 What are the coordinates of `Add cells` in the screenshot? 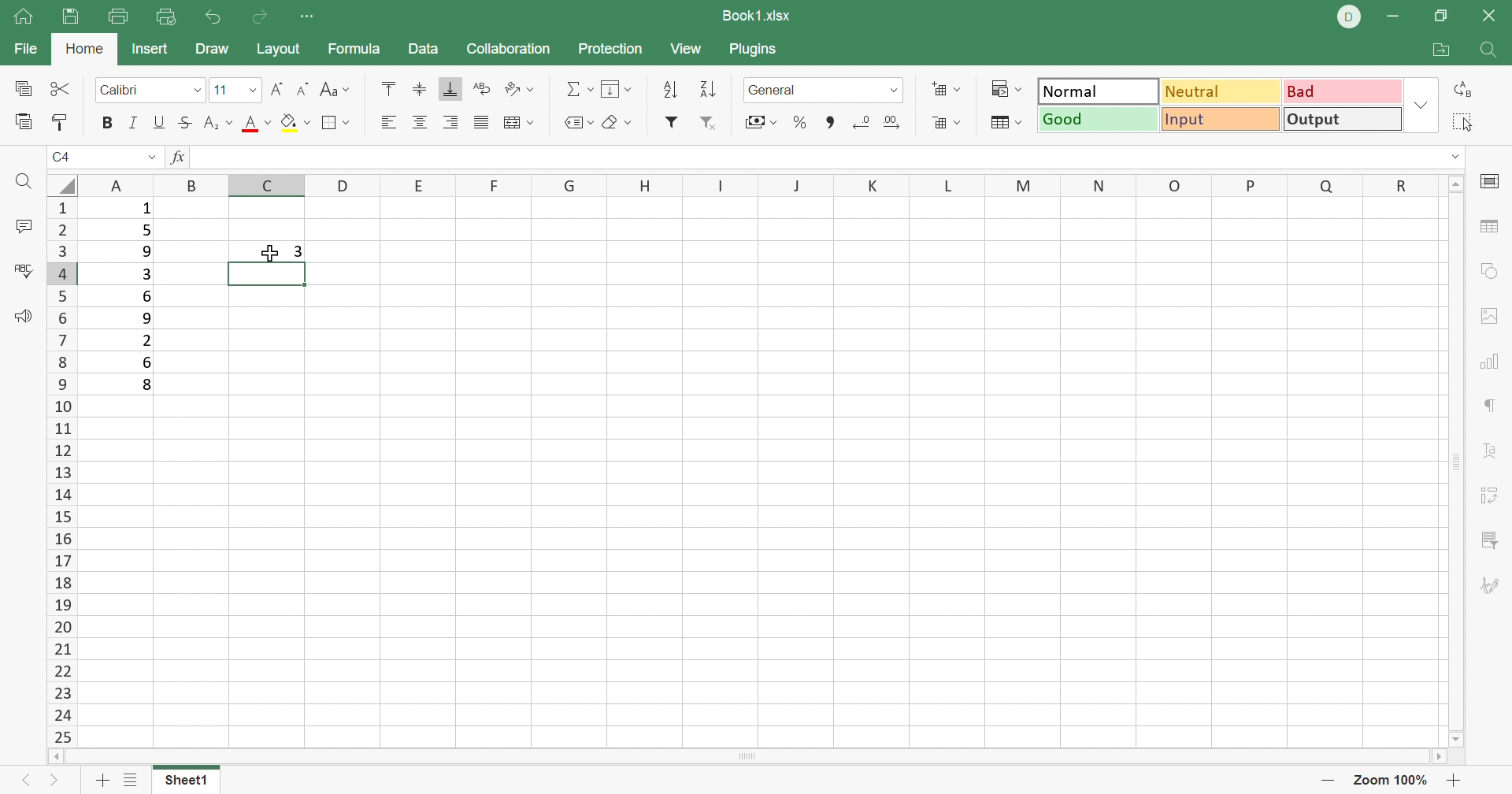 It's located at (943, 88).